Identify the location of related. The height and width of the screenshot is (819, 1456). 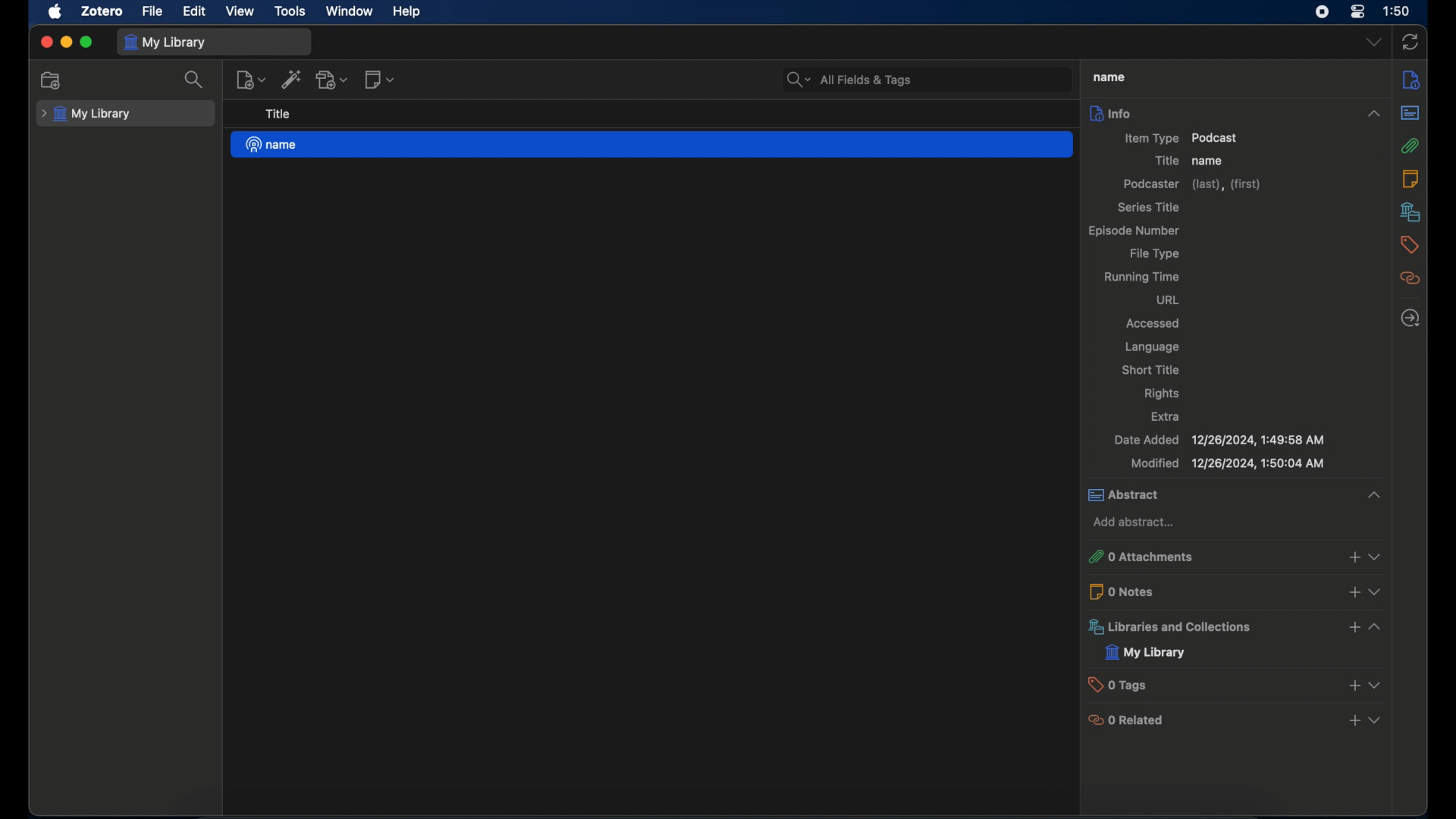
(1411, 279).